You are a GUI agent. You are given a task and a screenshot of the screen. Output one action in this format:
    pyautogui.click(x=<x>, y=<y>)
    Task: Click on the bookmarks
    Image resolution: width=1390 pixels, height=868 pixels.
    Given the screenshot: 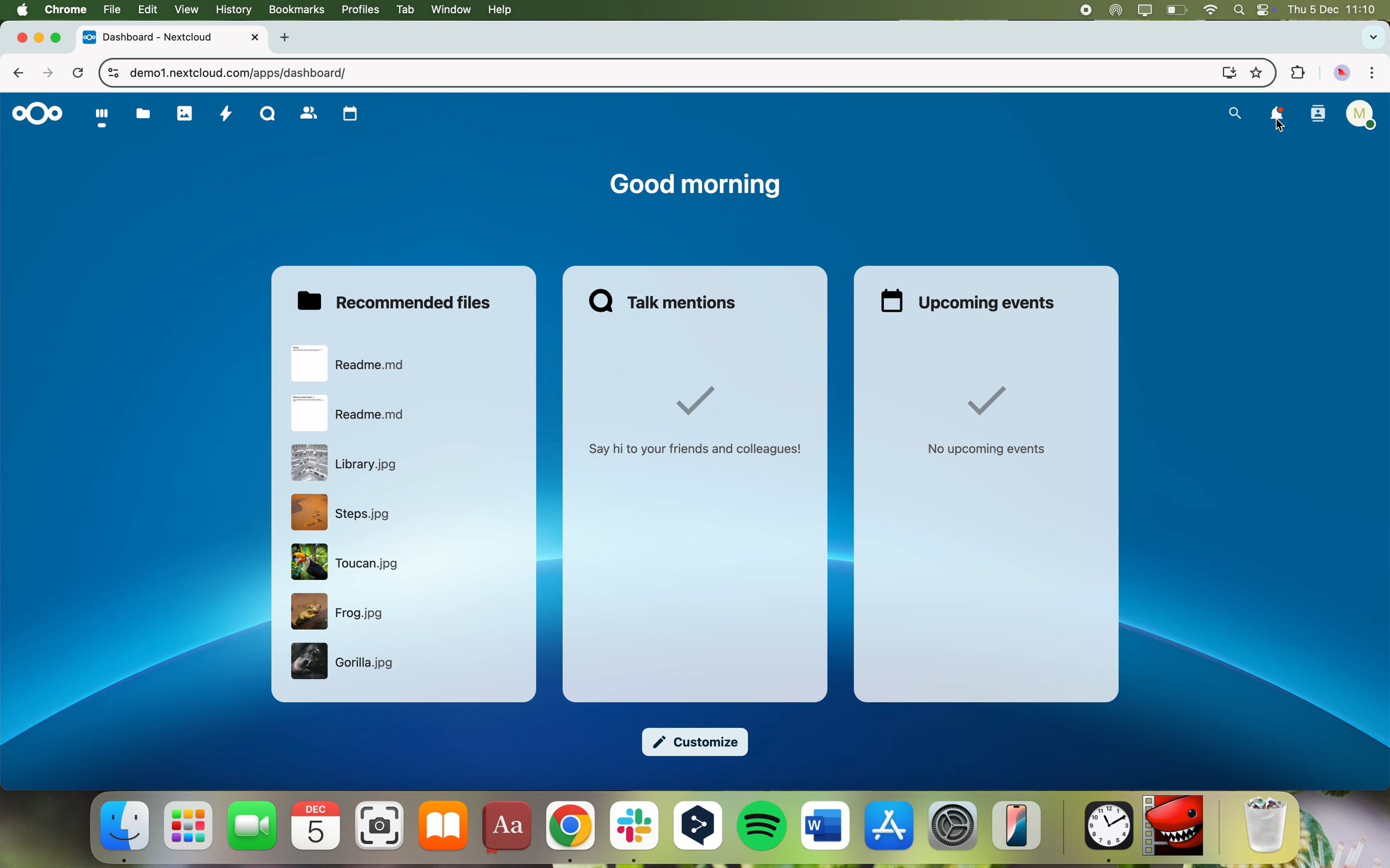 What is the action you would take?
    pyautogui.click(x=295, y=10)
    